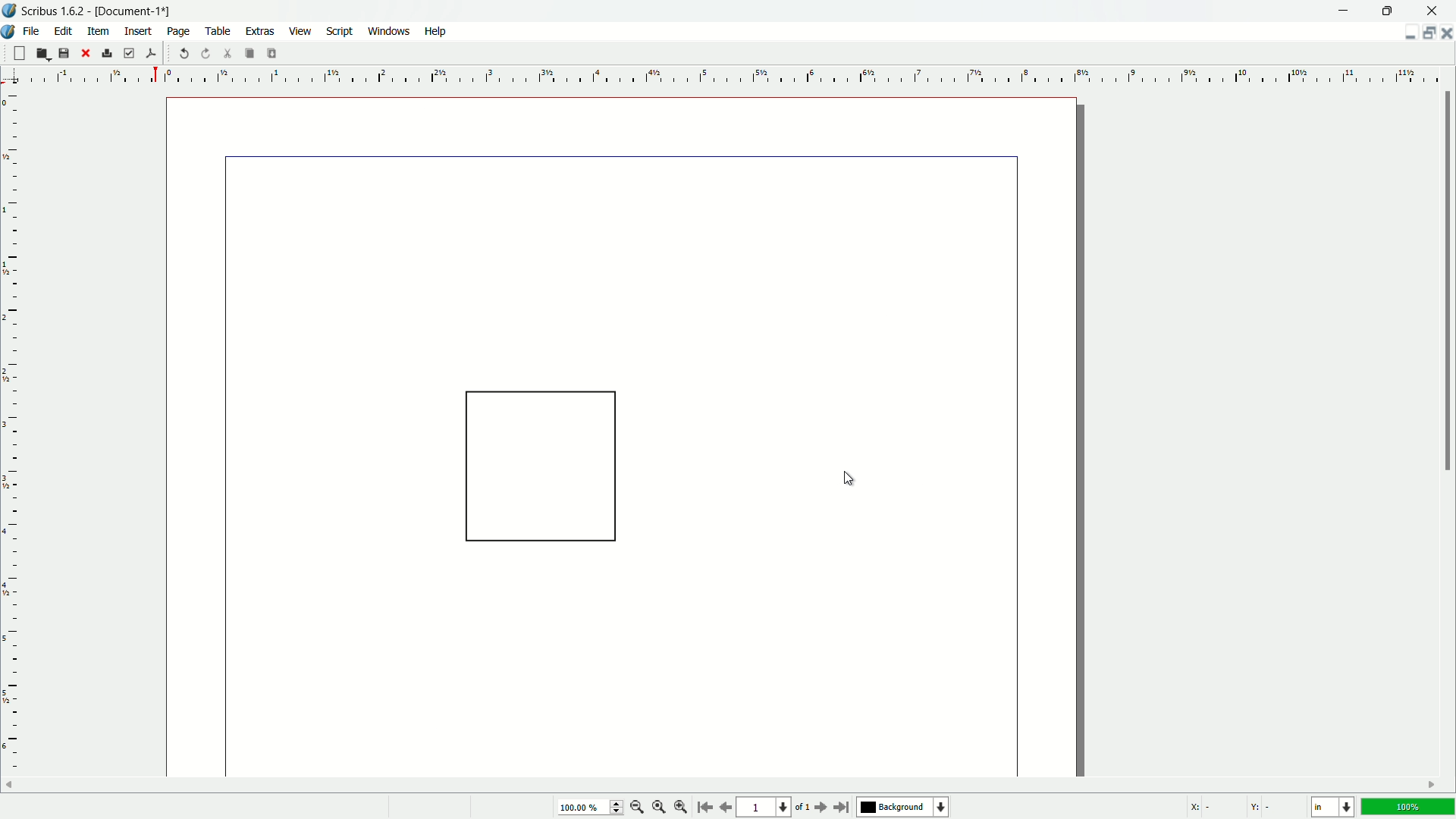  Describe the element at coordinates (592, 808) in the screenshot. I see `100.00%` at that location.